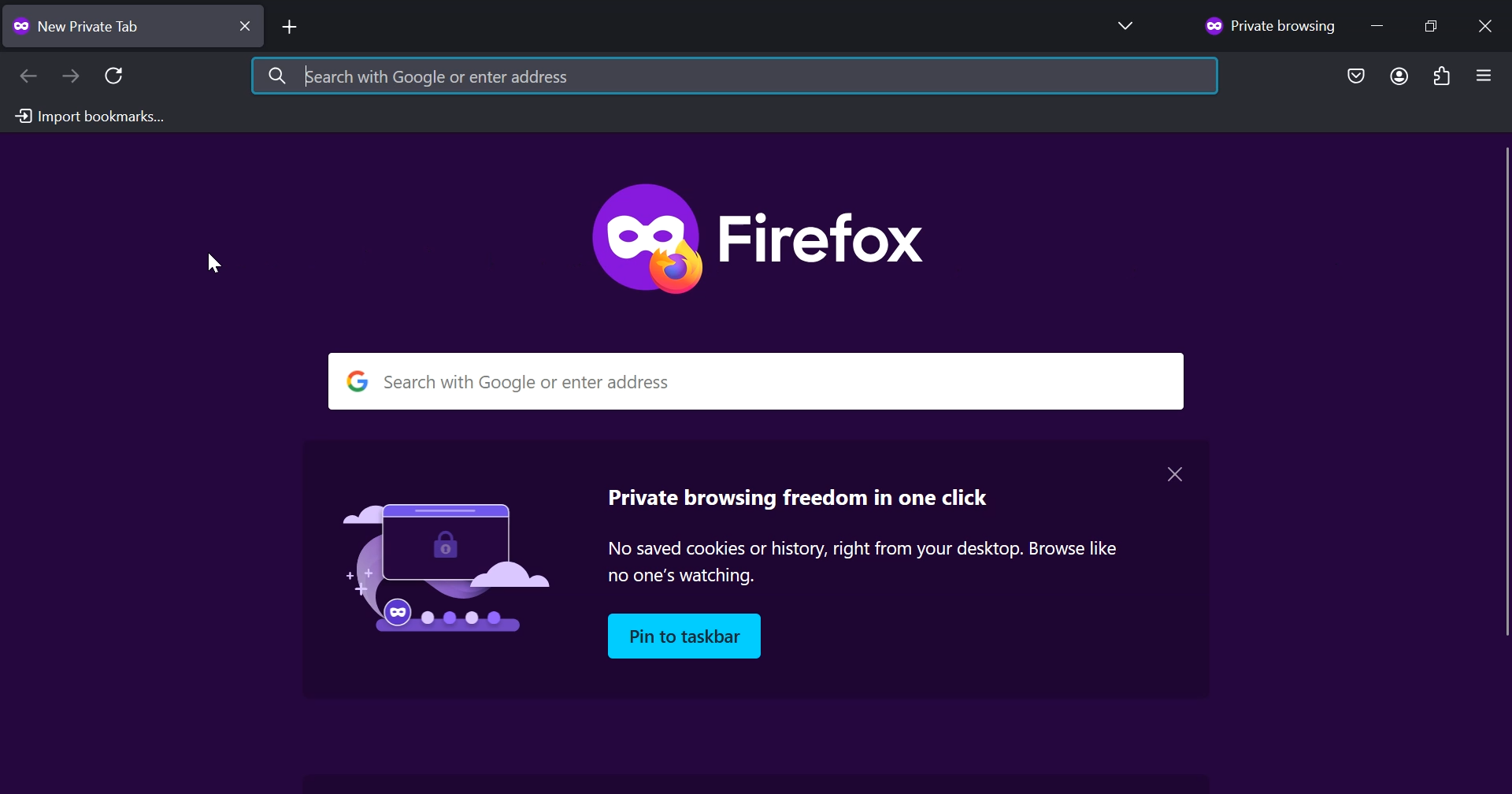  I want to click on close, so click(244, 28).